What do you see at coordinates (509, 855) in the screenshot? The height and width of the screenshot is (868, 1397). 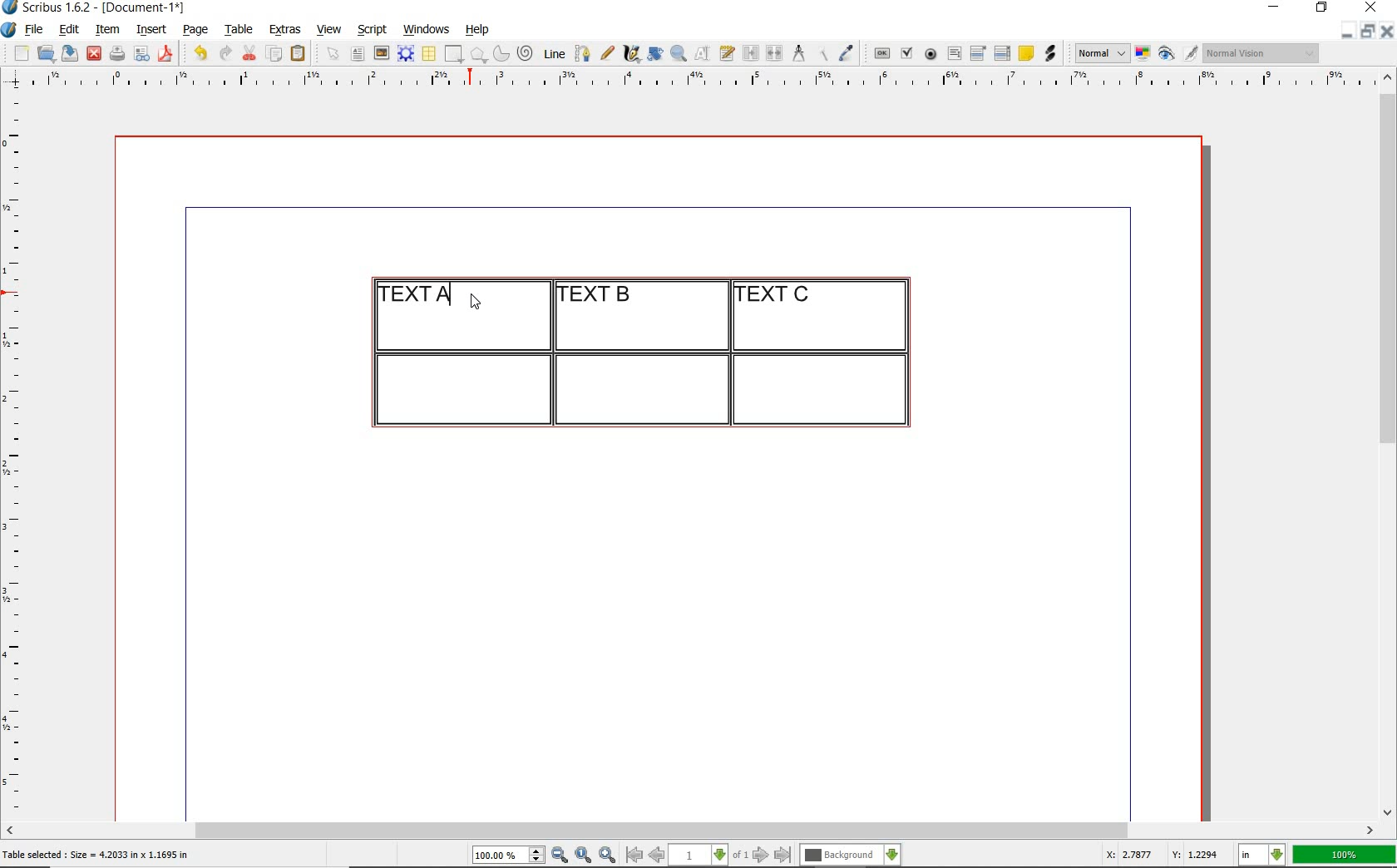 I see `select current zoom level` at bounding box center [509, 855].